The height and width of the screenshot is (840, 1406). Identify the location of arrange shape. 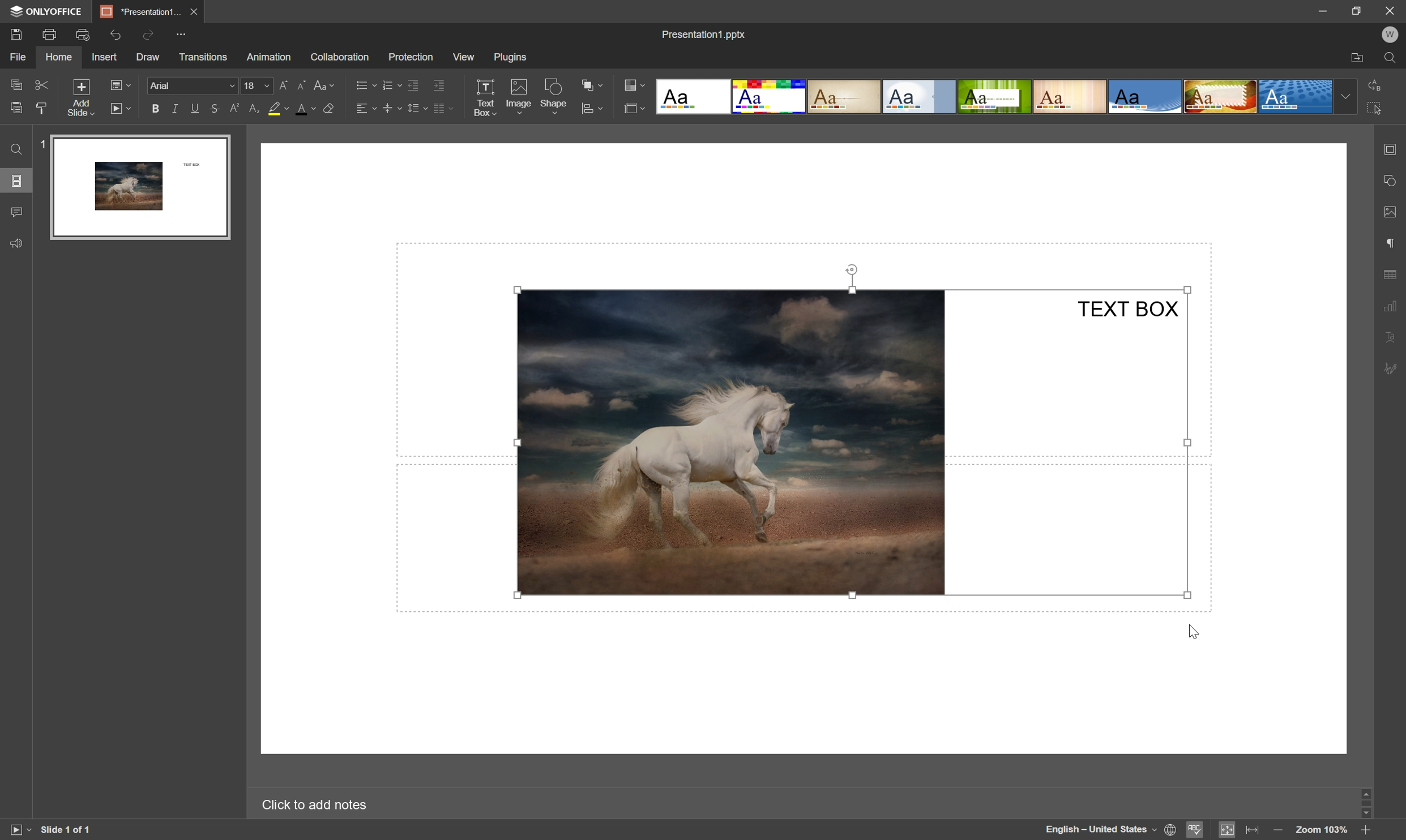
(592, 109).